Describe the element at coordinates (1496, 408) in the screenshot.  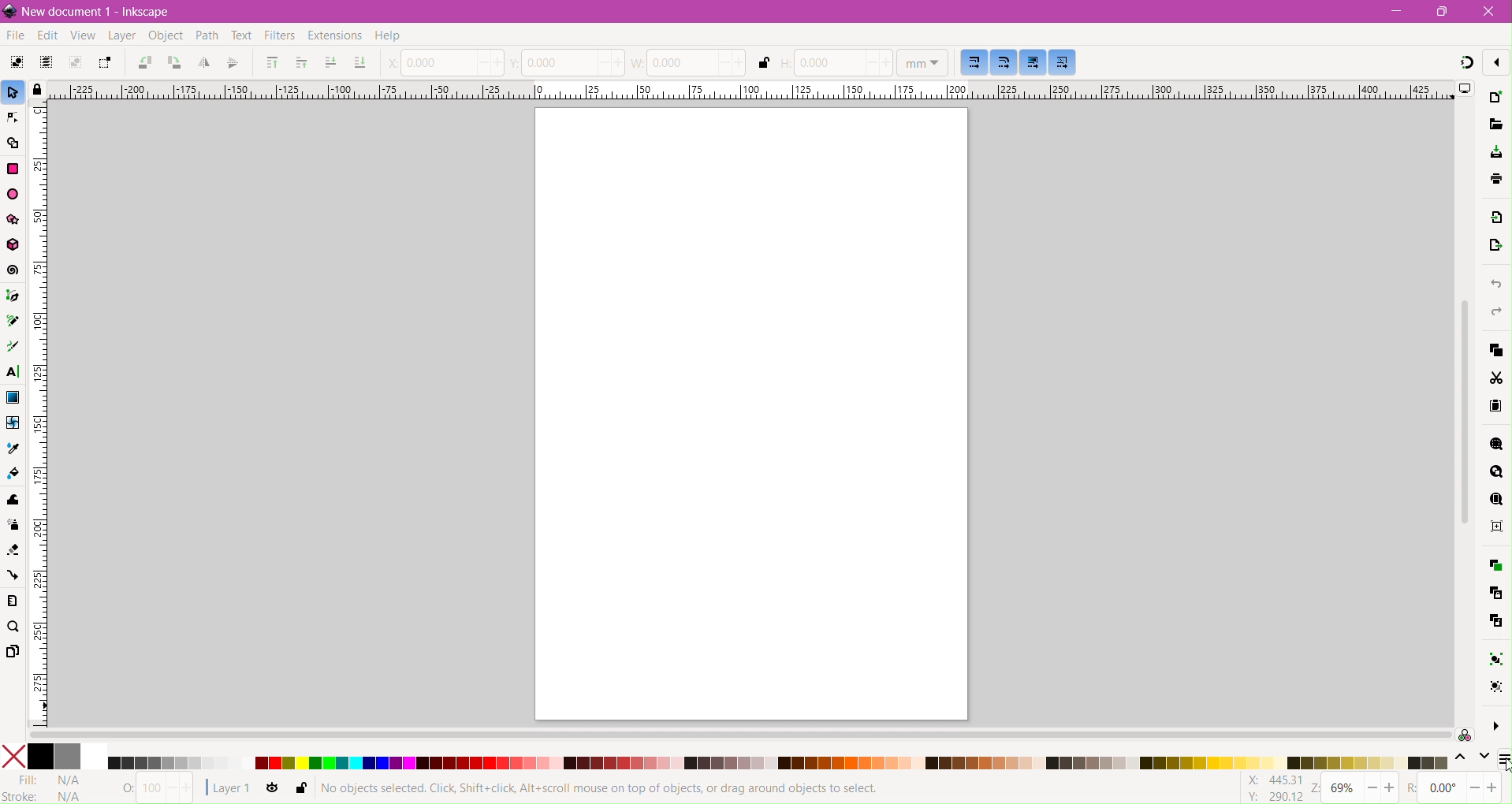
I see `Paste` at that location.